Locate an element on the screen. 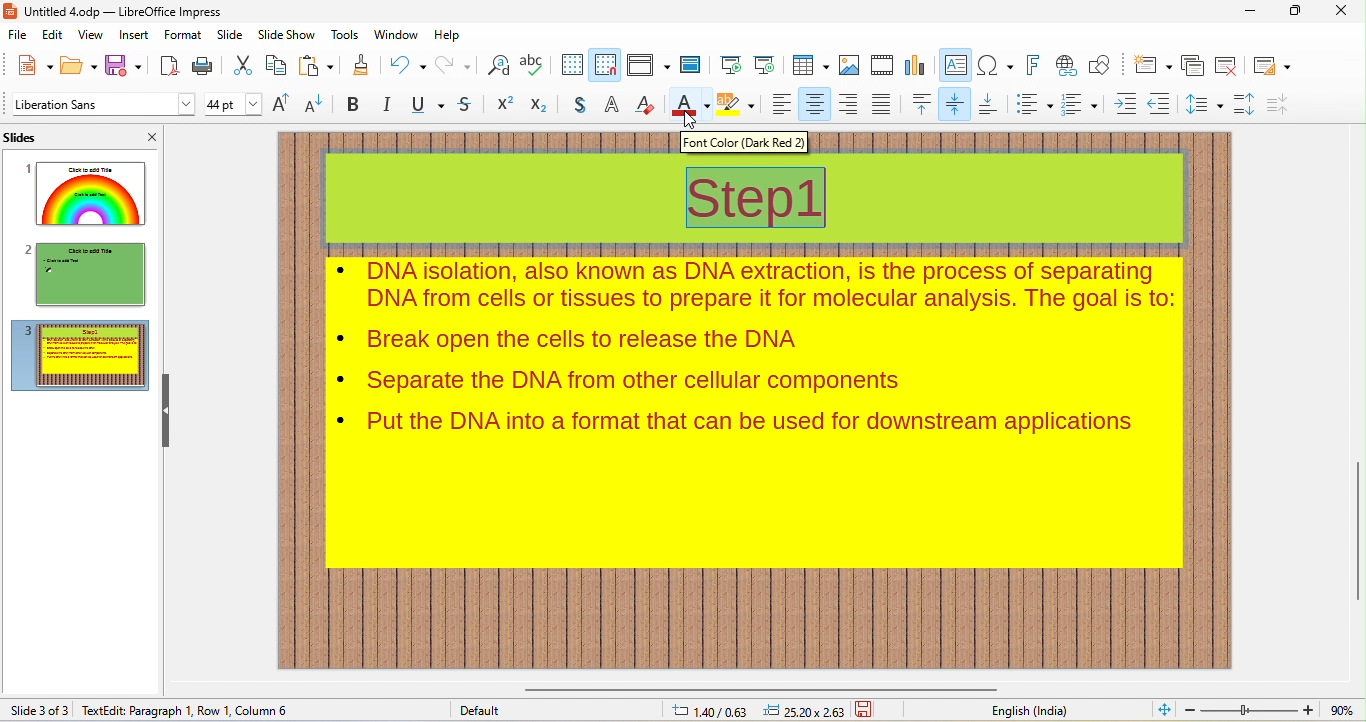 The height and width of the screenshot is (722, 1366). strikethrough is located at coordinates (466, 105).